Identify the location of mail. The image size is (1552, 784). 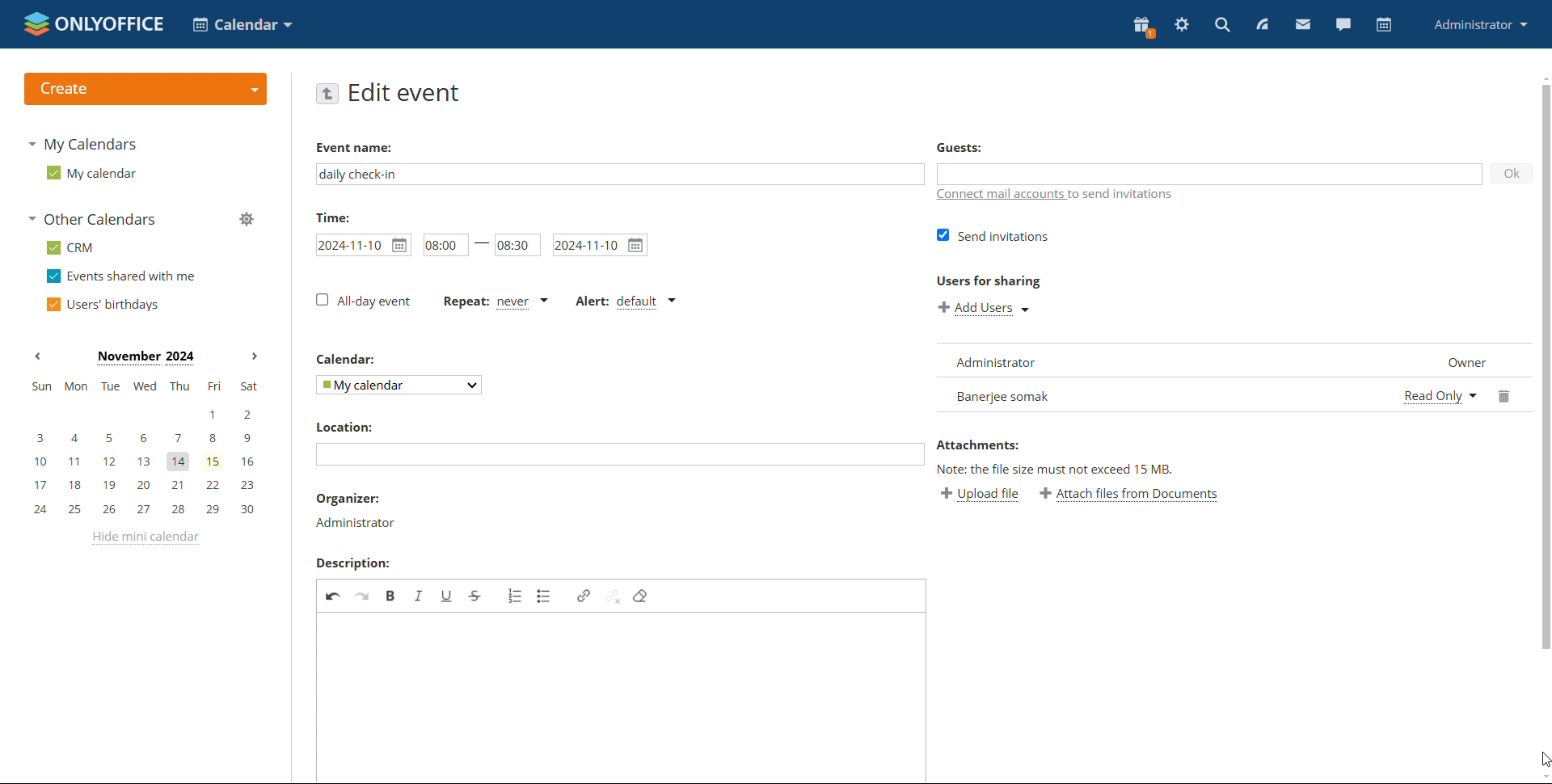
(1303, 23).